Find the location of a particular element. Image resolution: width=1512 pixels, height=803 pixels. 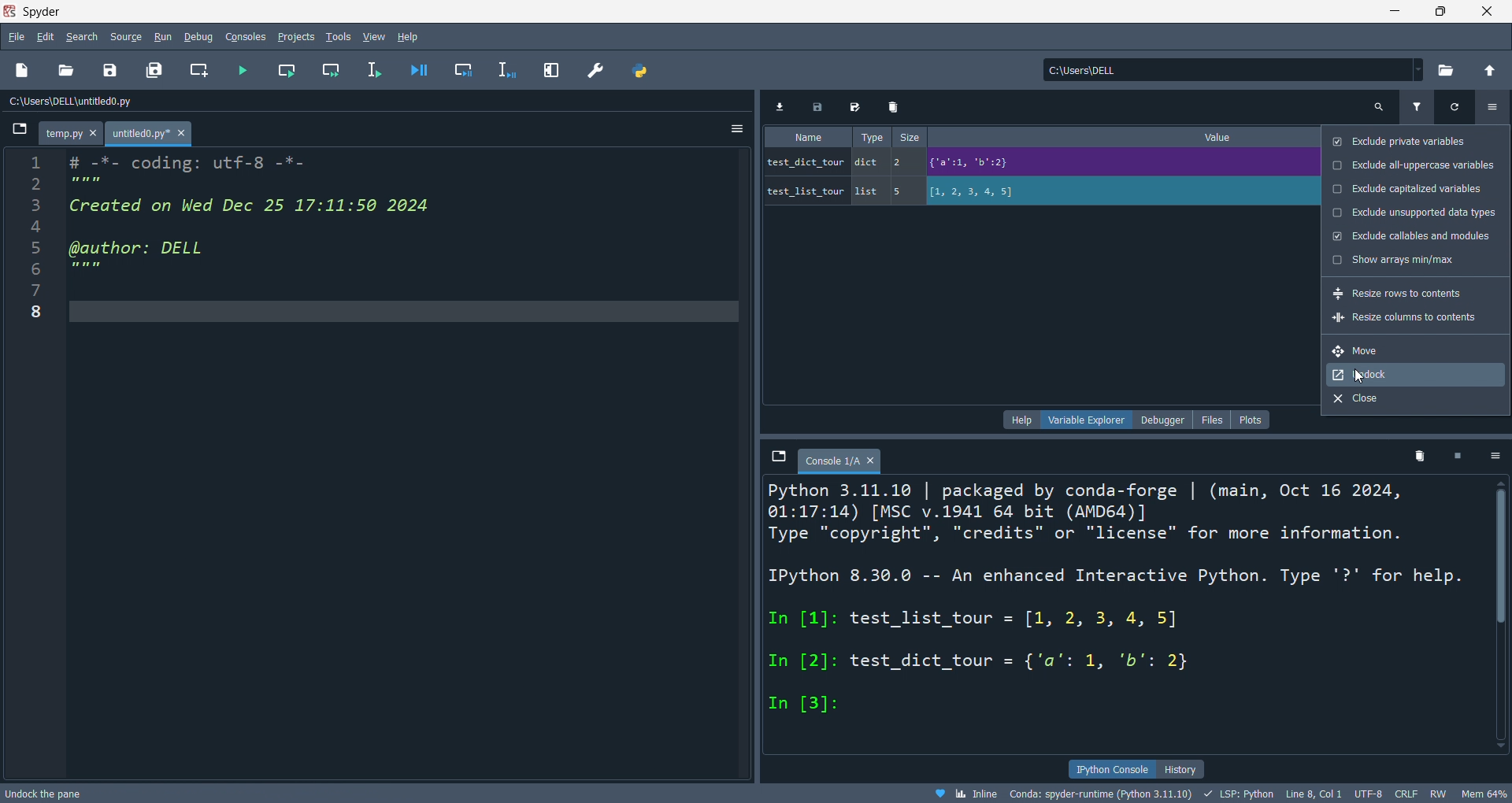

import is located at coordinates (781, 106).